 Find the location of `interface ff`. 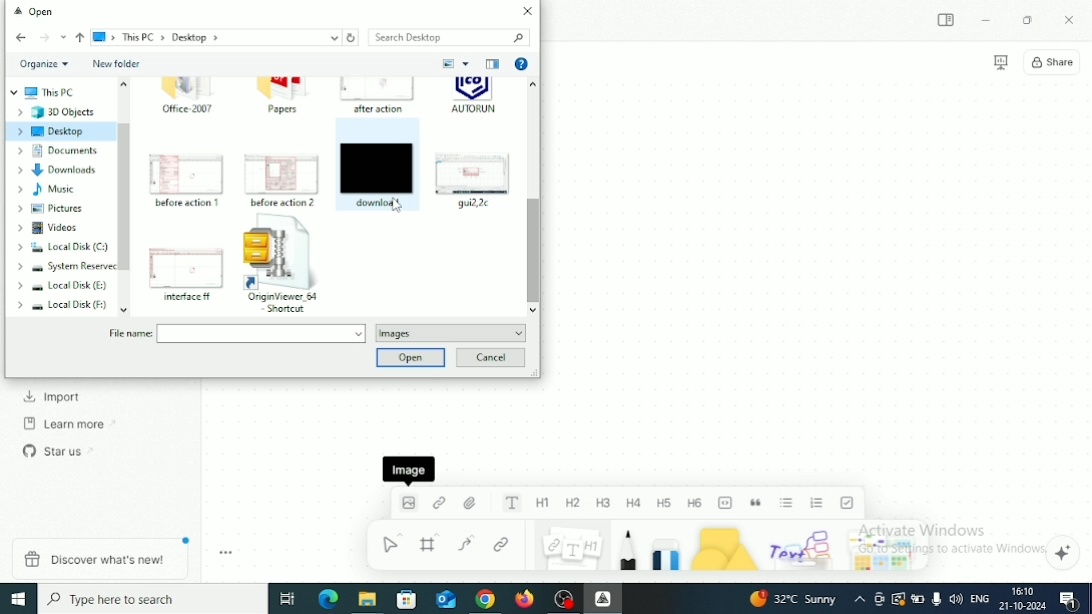

interface ff is located at coordinates (187, 275).